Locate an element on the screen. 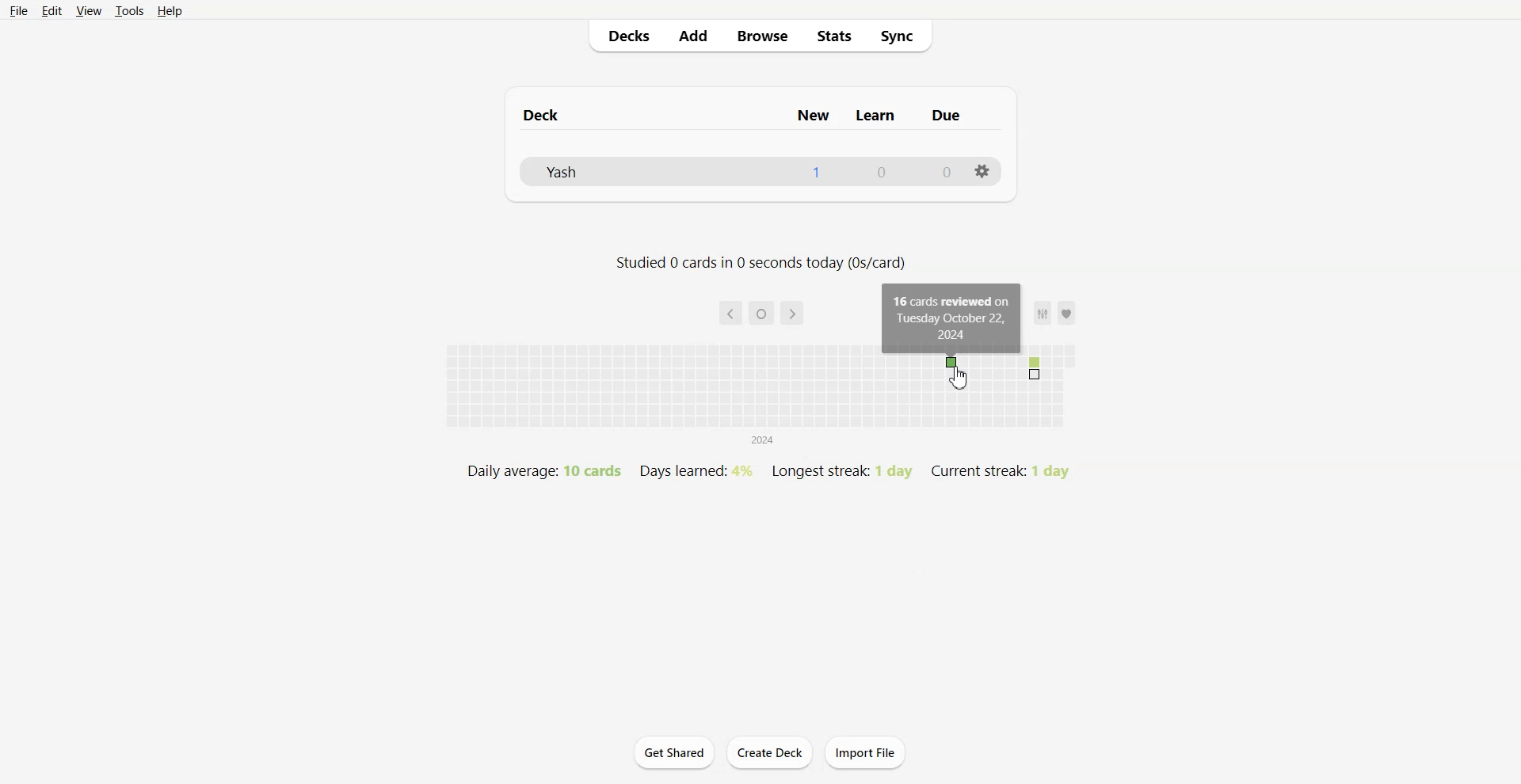  current is located at coordinates (762, 314).